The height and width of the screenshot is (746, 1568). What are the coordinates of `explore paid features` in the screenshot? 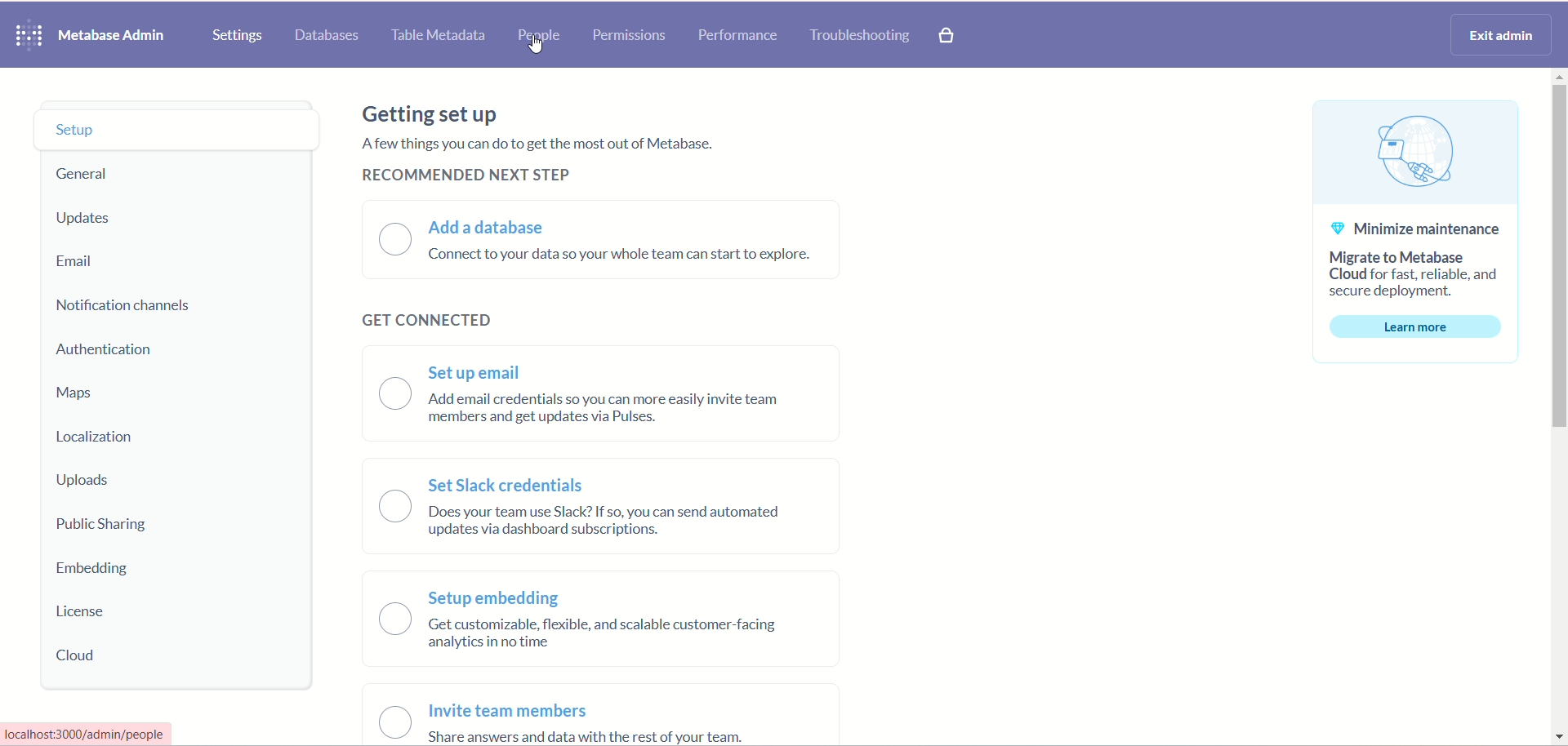 It's located at (947, 35).